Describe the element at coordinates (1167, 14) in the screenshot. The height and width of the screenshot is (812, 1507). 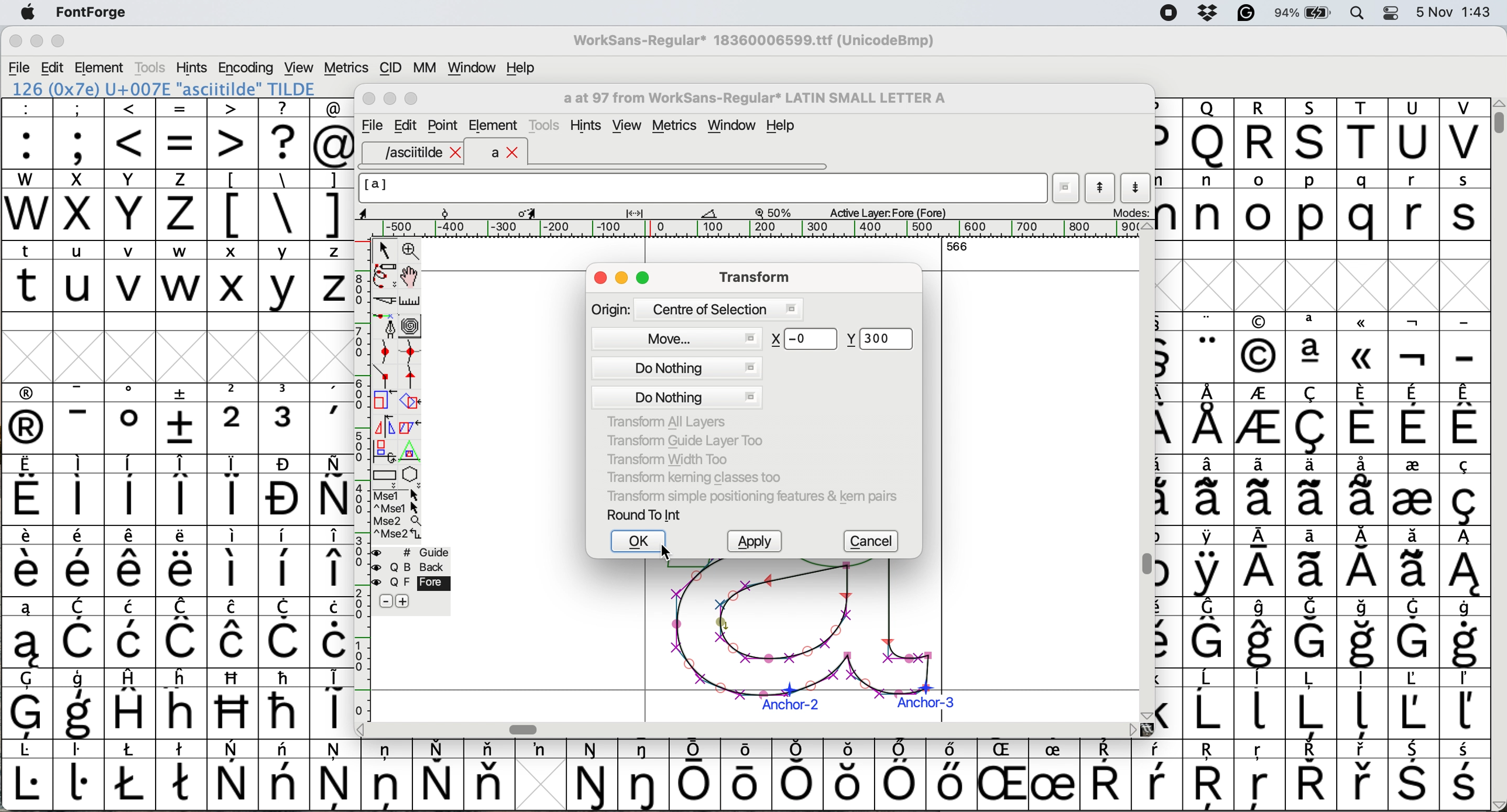
I see `screen recorder` at that location.